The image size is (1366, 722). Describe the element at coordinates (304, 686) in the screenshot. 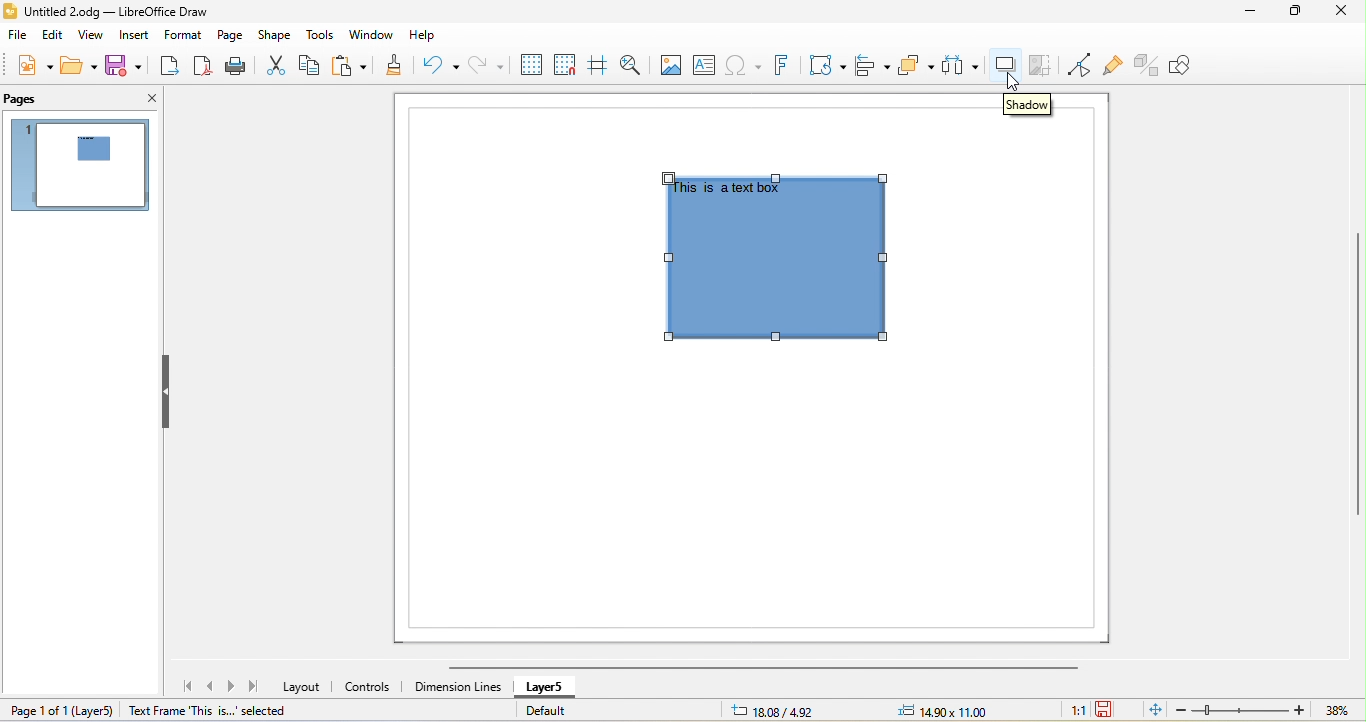

I see `layout` at that location.